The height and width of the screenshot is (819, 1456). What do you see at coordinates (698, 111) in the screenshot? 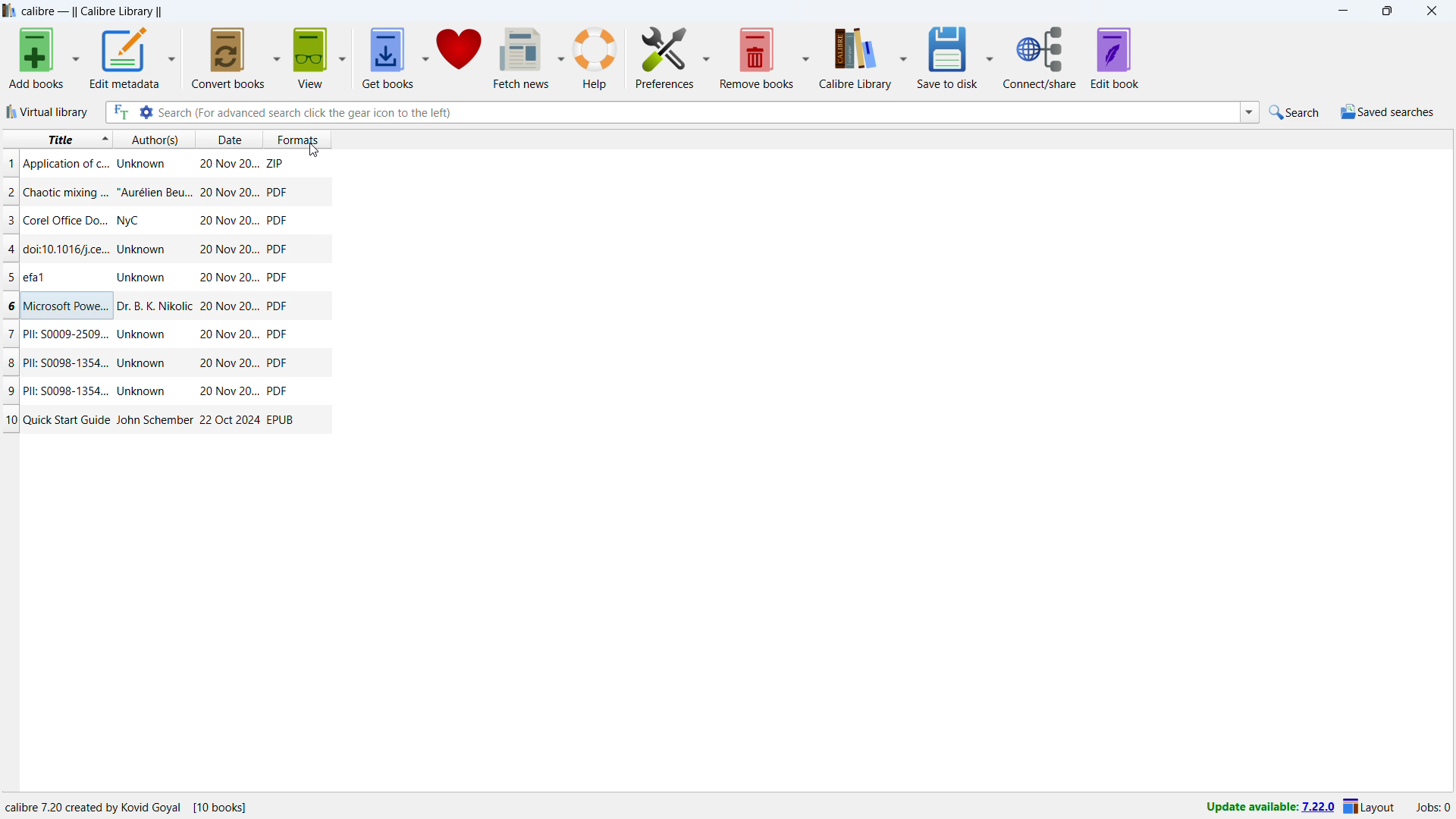
I see `enter search string` at bounding box center [698, 111].